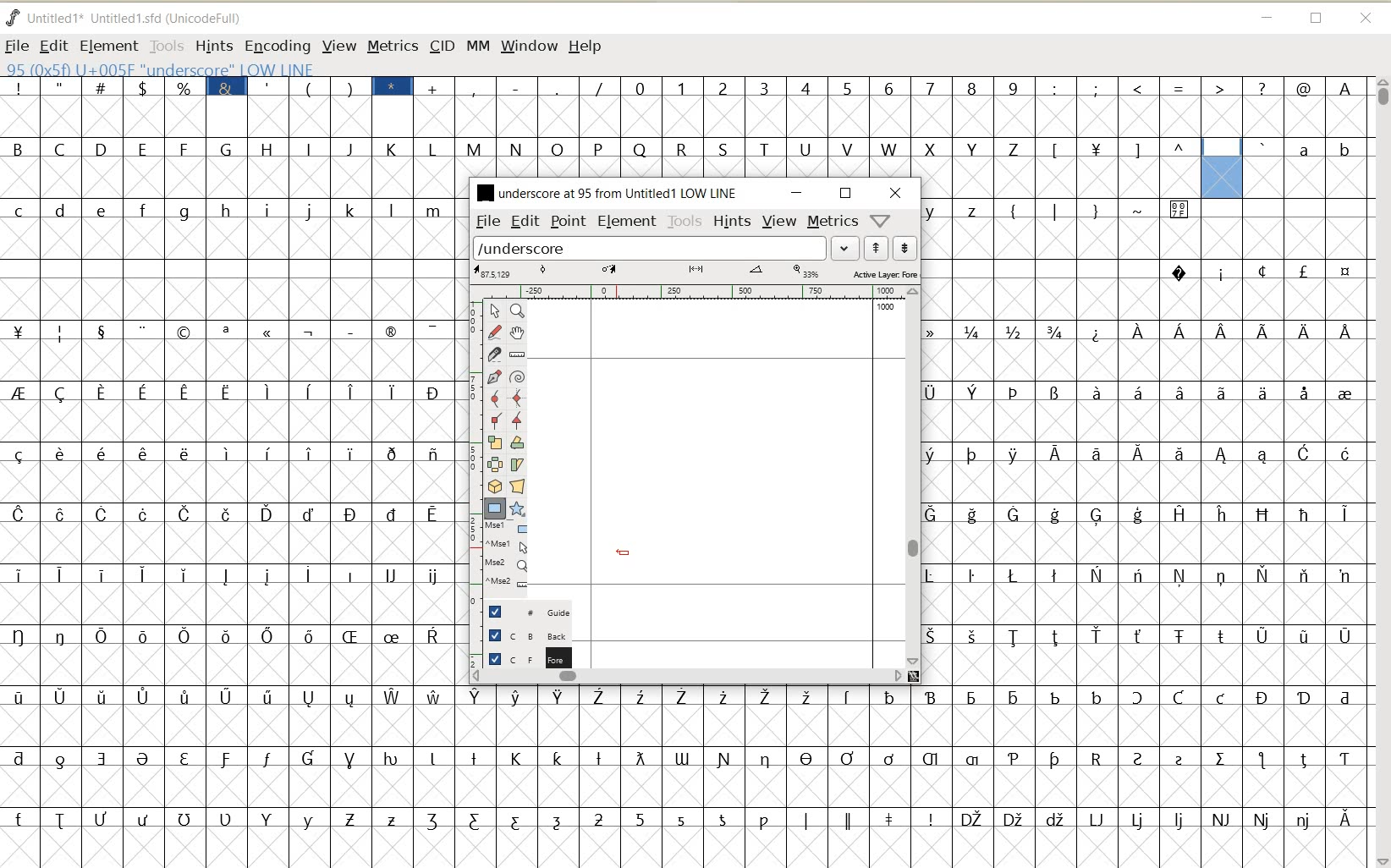 This screenshot has height=868, width=1391. I want to click on EXPAND, so click(846, 249).